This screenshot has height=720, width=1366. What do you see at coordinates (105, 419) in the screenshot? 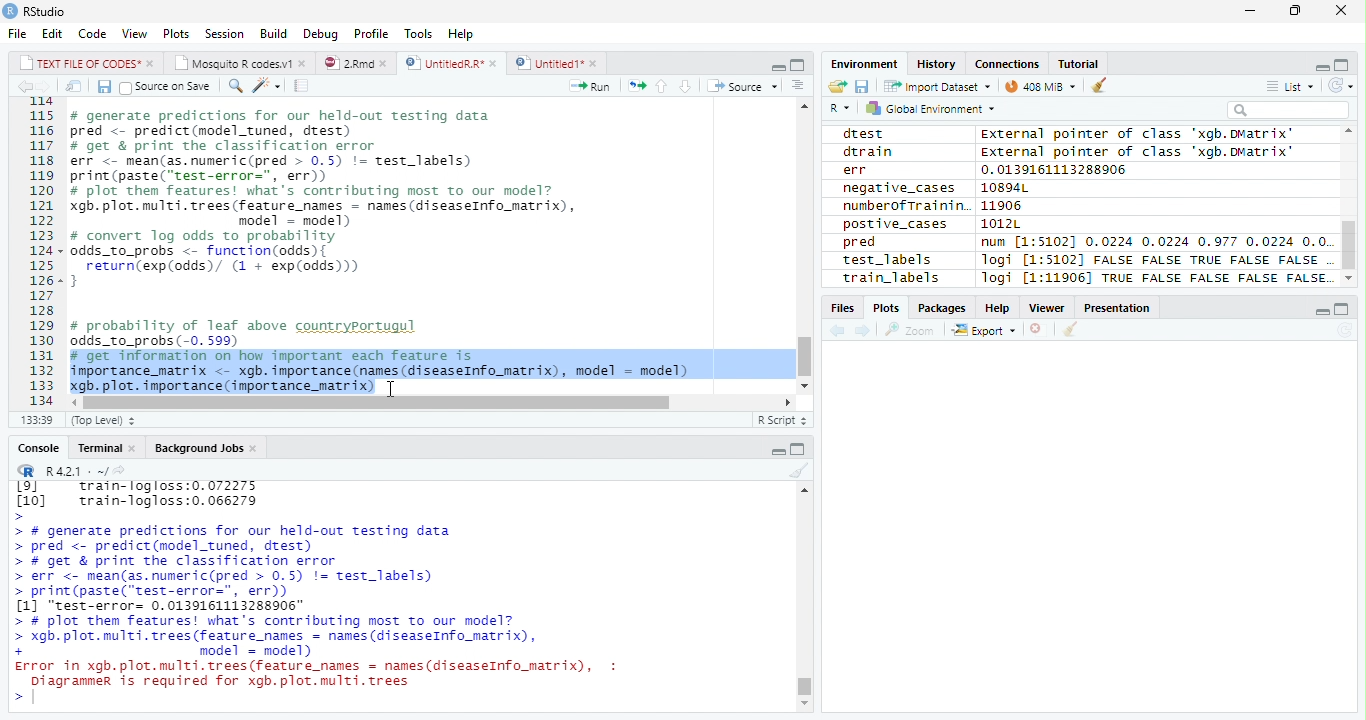
I see `Top Level` at bounding box center [105, 419].